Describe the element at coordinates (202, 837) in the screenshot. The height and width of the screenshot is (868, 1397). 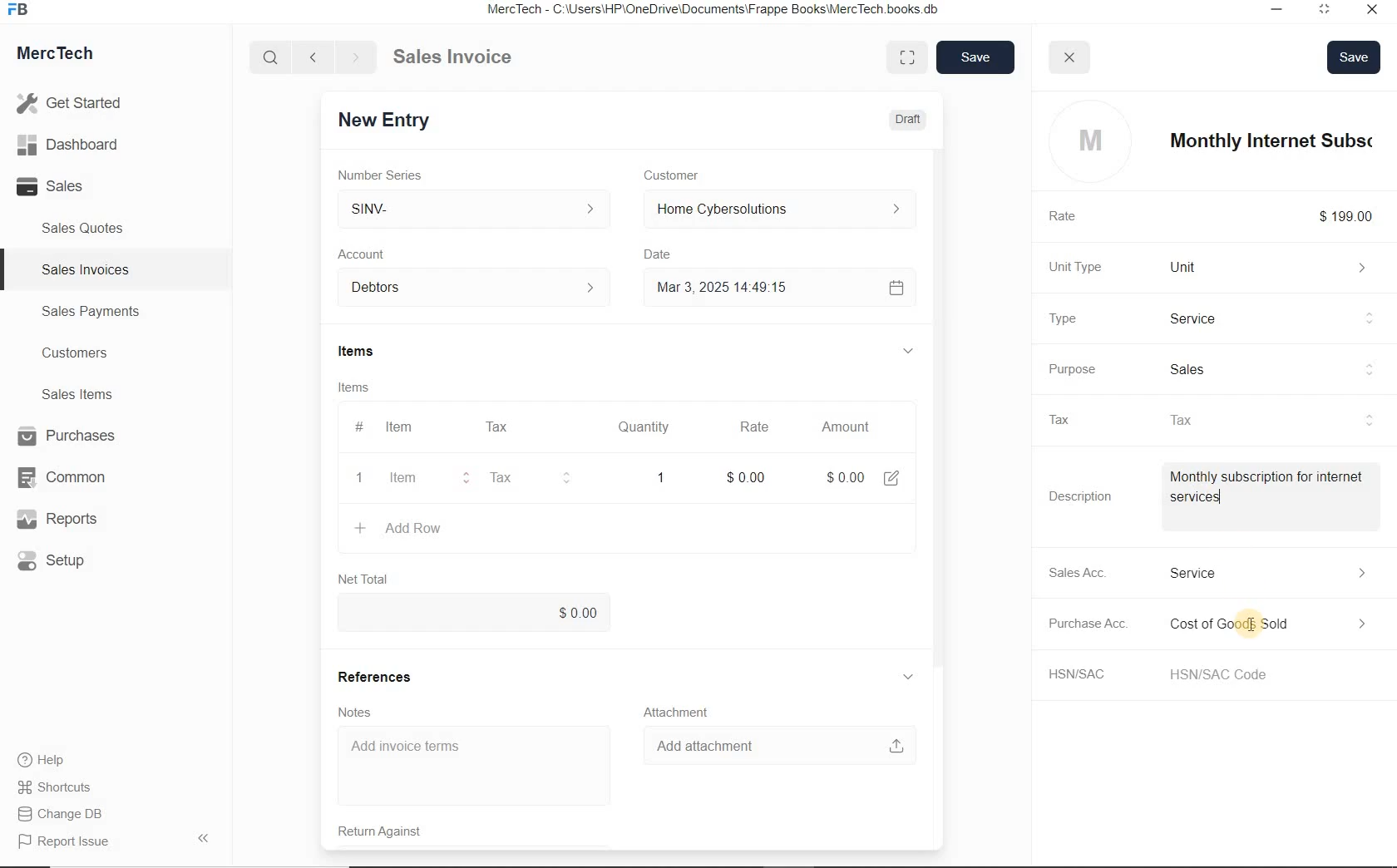
I see `Hide Sidebar` at that location.